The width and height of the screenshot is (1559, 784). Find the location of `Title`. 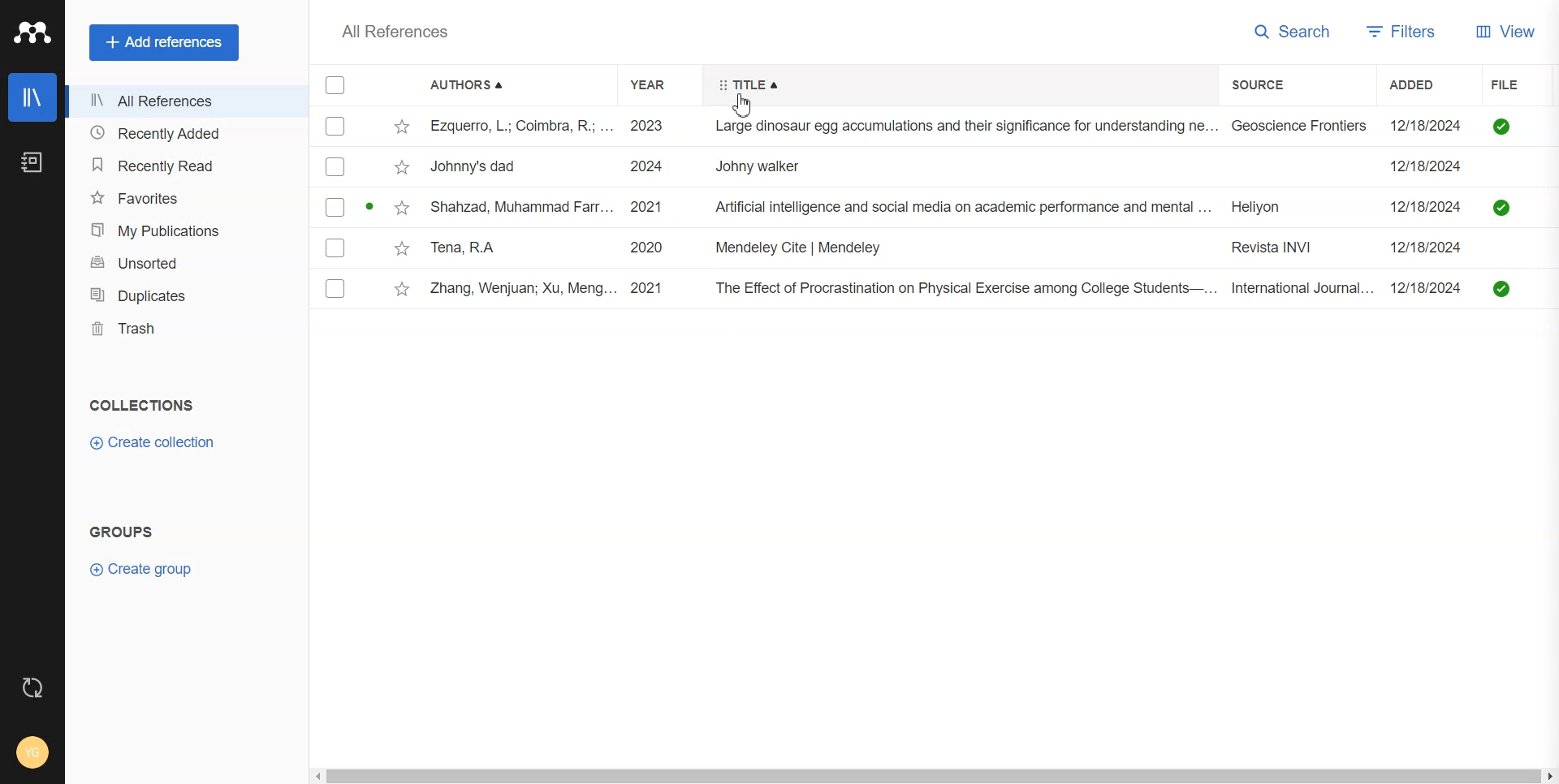

Title is located at coordinates (749, 85).